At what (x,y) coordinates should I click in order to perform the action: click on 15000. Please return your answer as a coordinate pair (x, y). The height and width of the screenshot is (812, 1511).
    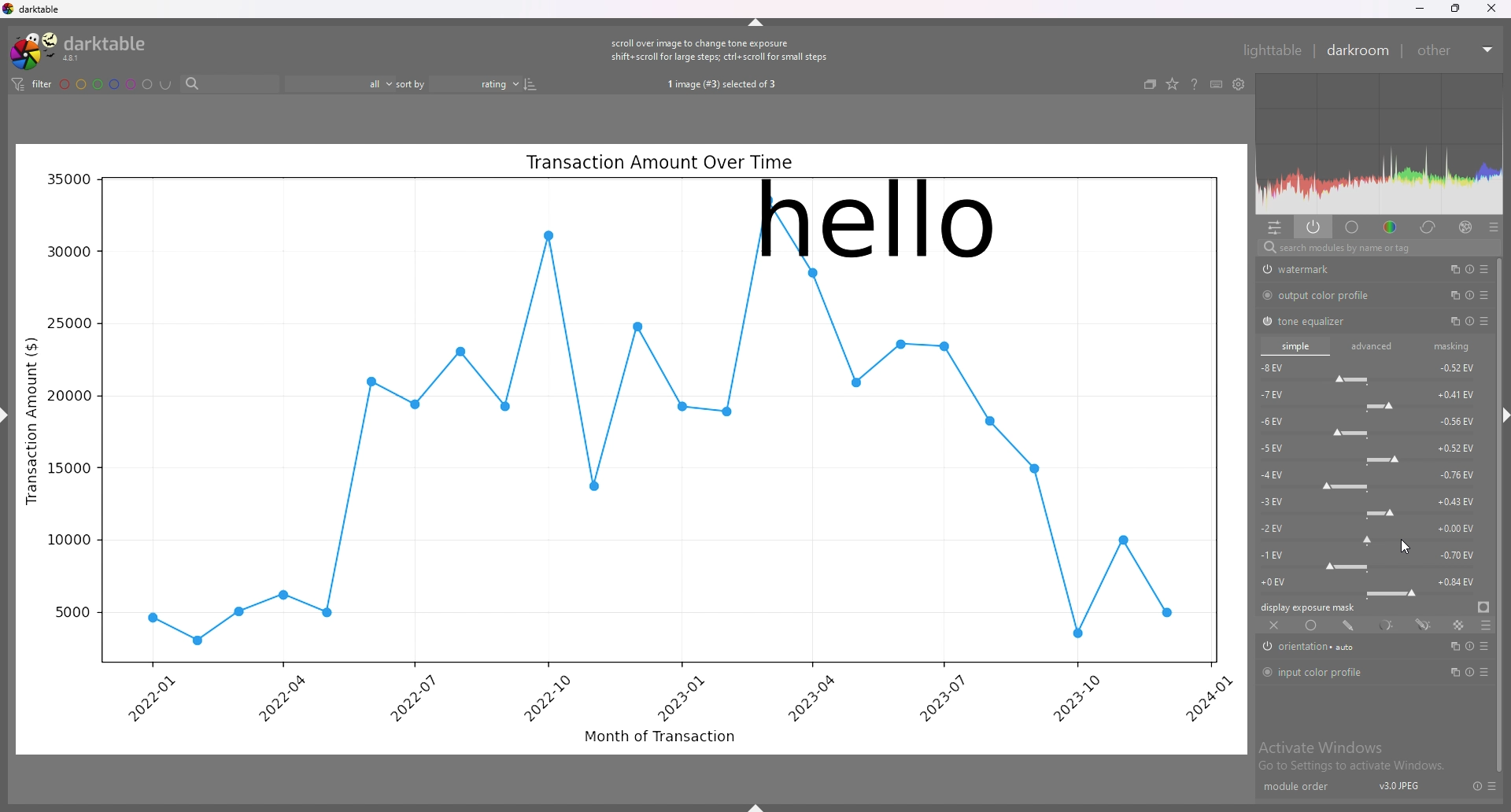
    Looking at the image, I should click on (68, 469).